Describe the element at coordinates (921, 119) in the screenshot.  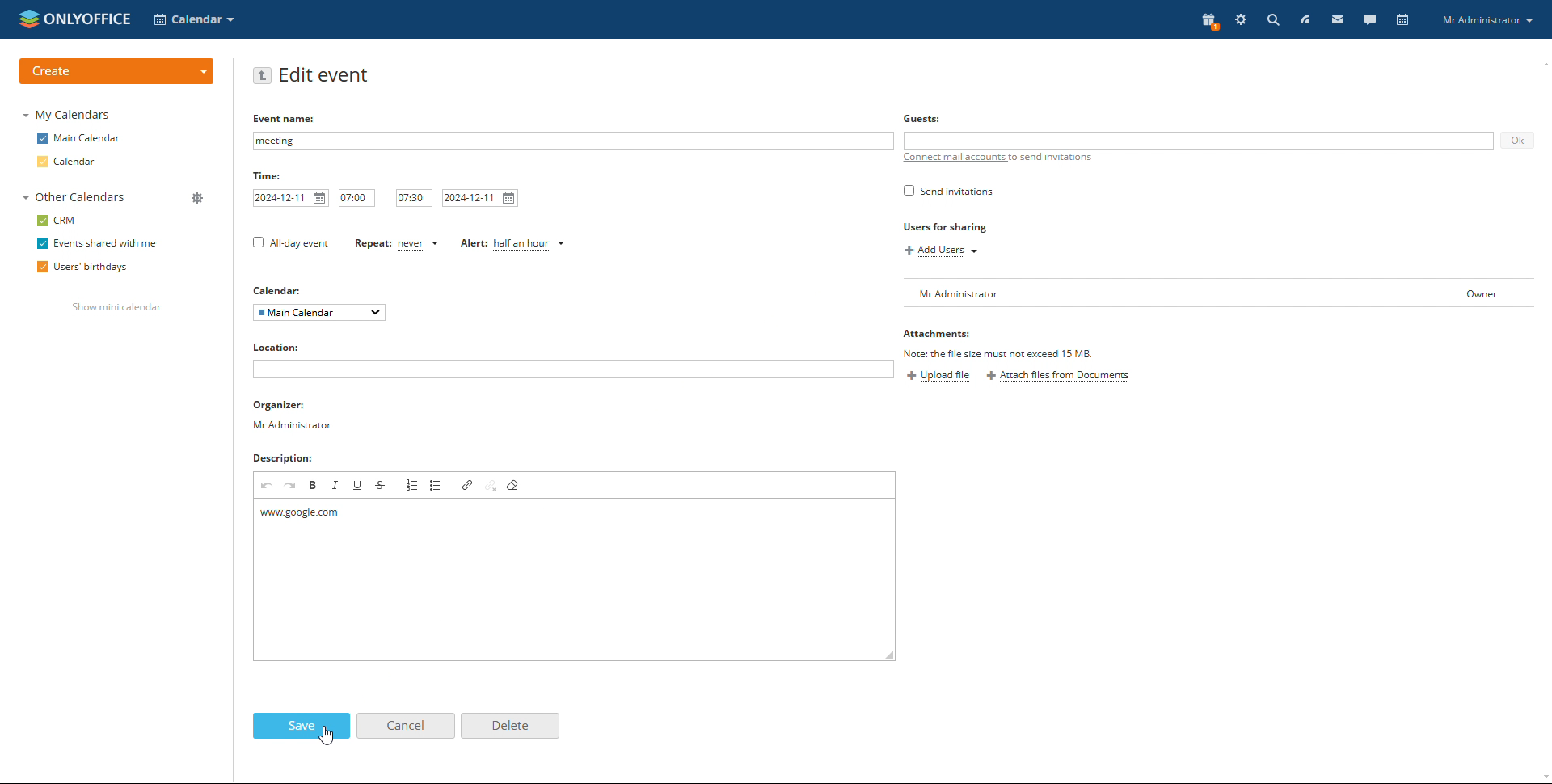
I see `` at that location.